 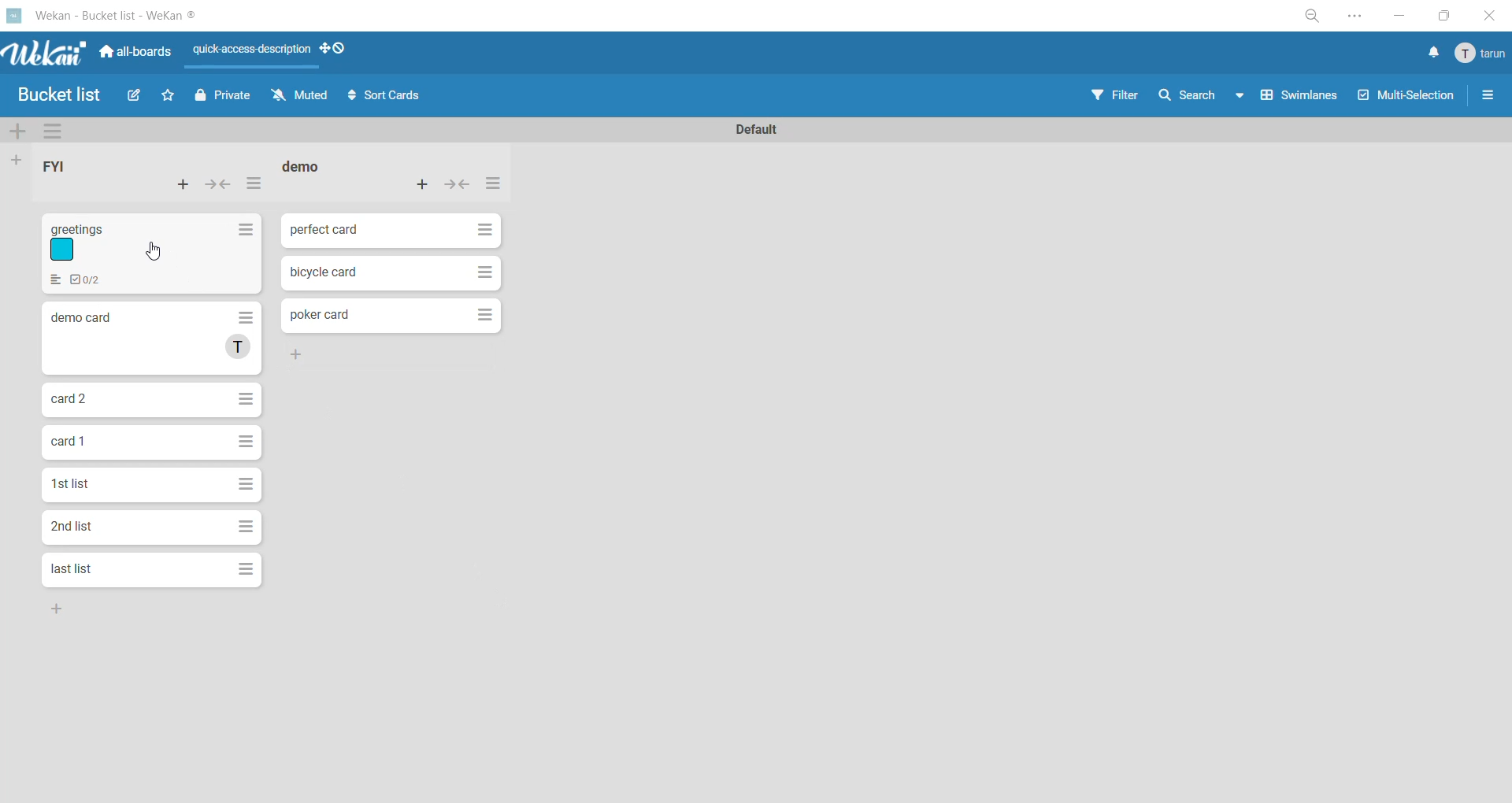 What do you see at coordinates (1489, 96) in the screenshot?
I see `sidebar` at bounding box center [1489, 96].